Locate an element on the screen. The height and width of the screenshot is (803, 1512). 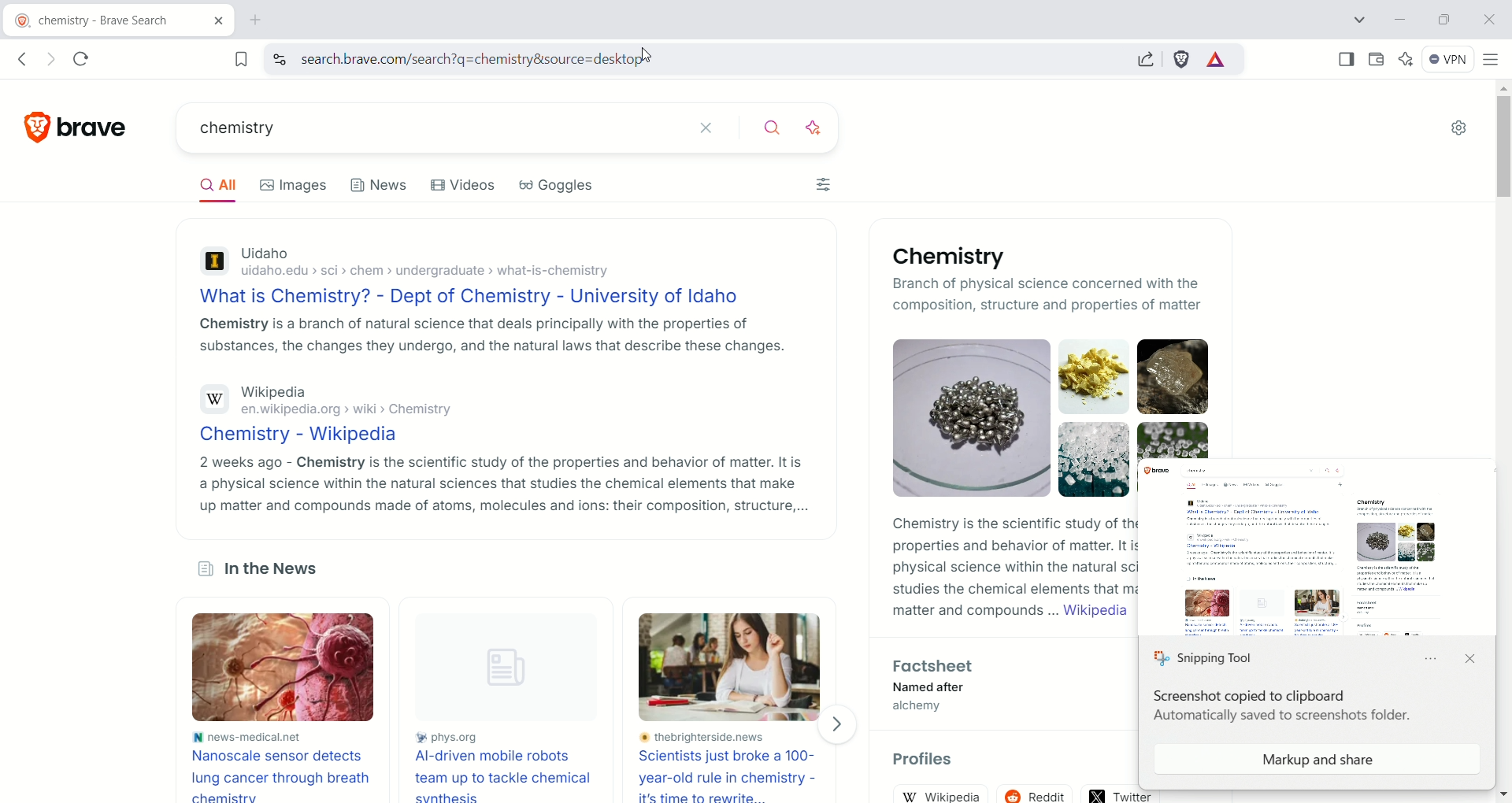
thebrighterside.news scientists just broke a 100-year-old rule in chemistry - it's time to rewrite is located at coordinates (734, 767).